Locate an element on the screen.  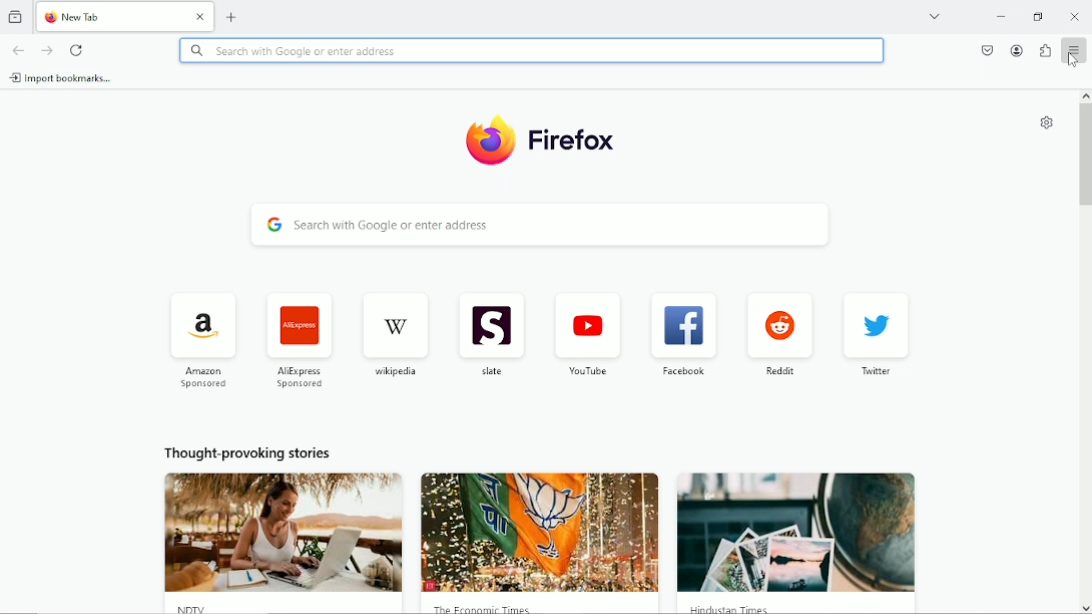
search with Google or enter address is located at coordinates (530, 51).